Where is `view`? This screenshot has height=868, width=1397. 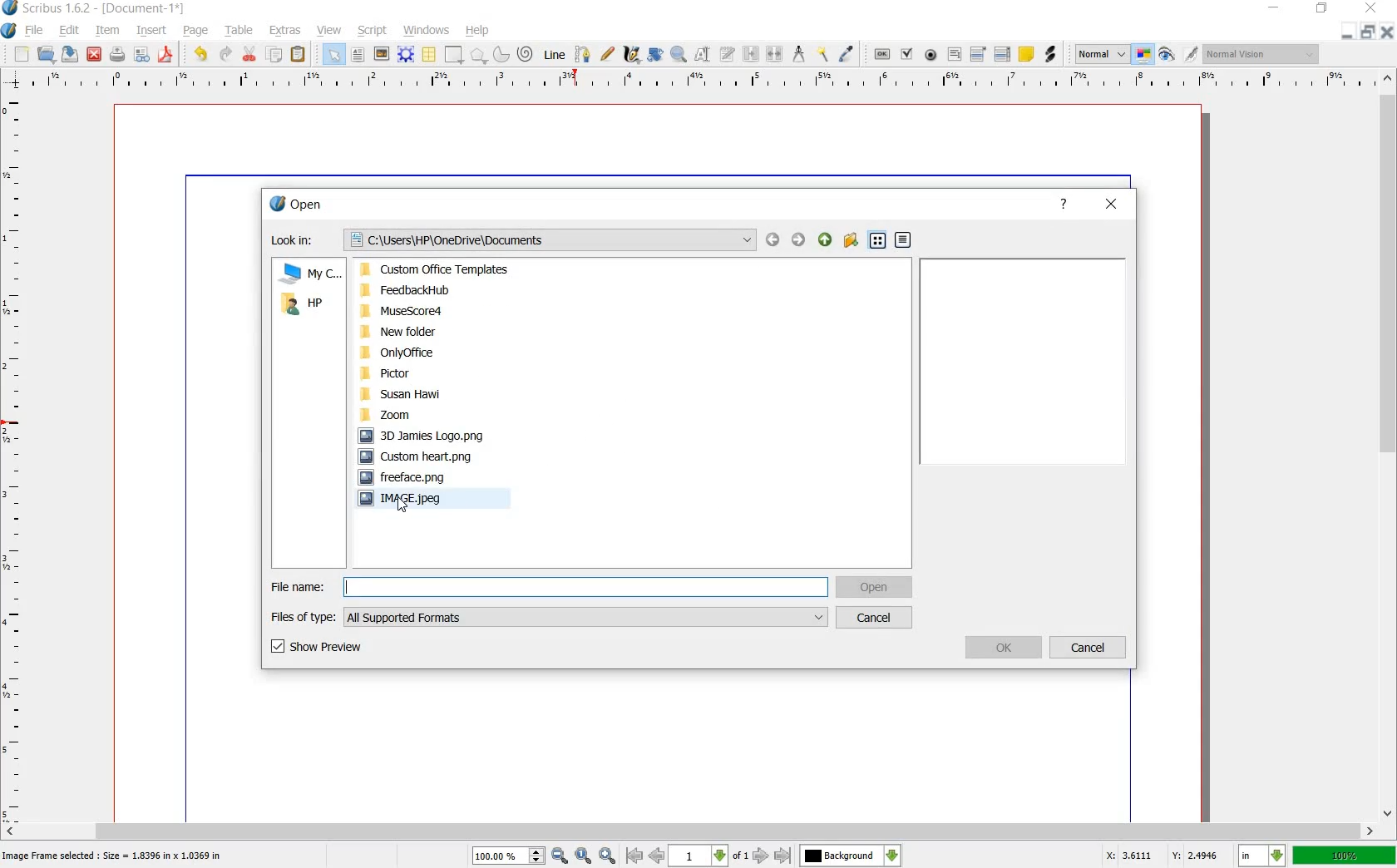 view is located at coordinates (329, 32).